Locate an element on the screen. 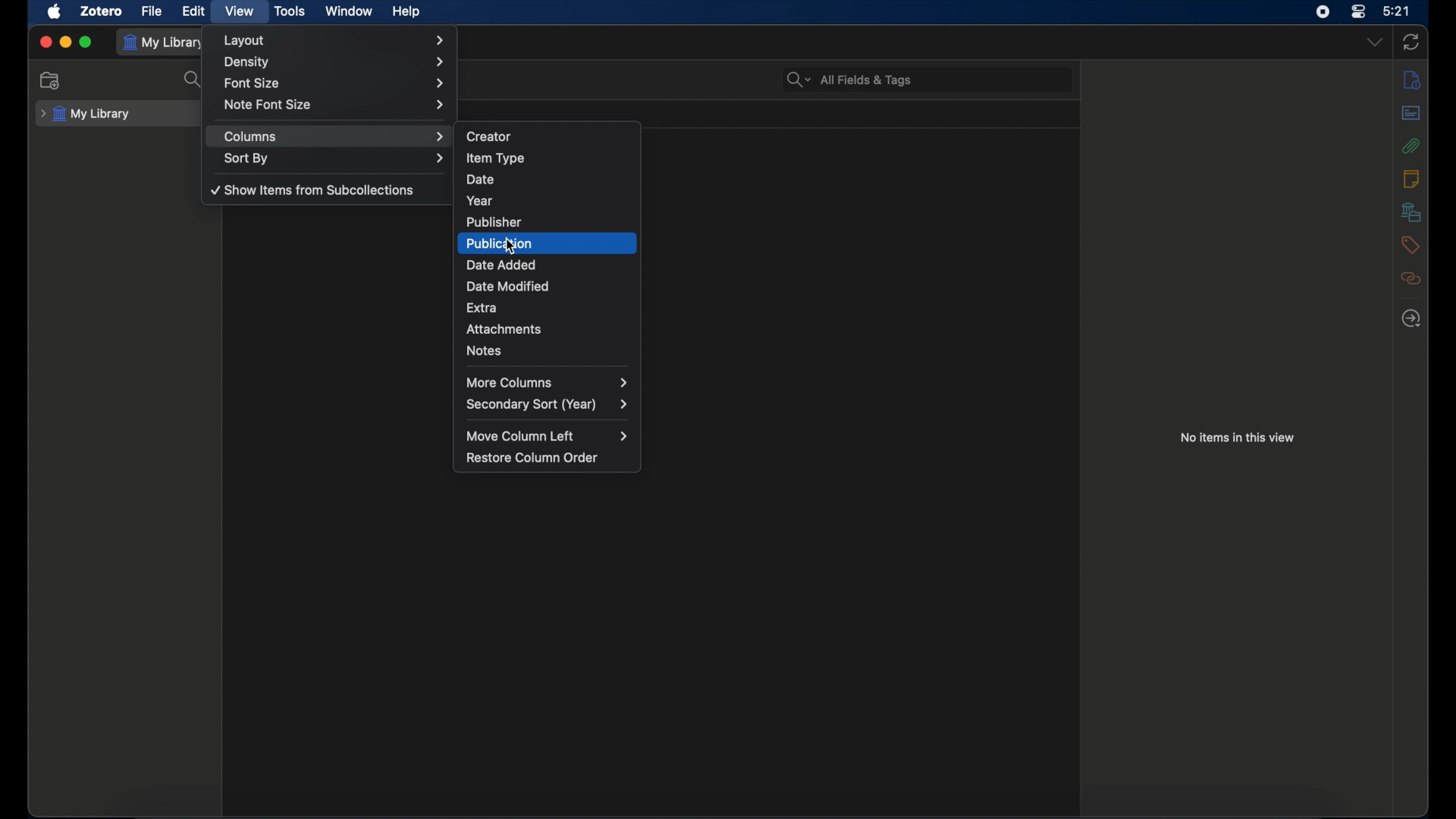 The width and height of the screenshot is (1456, 819). file is located at coordinates (153, 12).